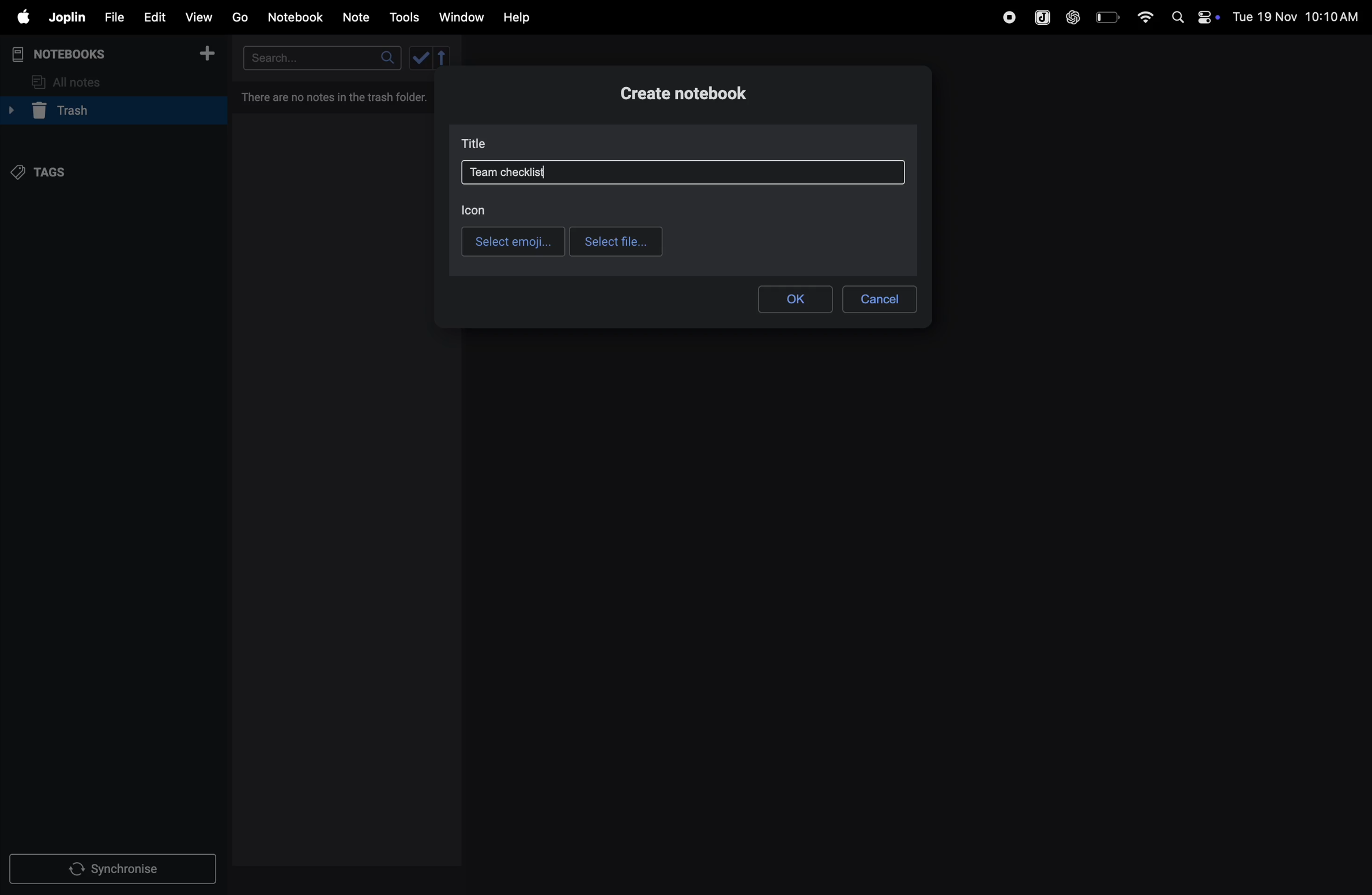  Describe the element at coordinates (318, 57) in the screenshot. I see `search ` at that location.